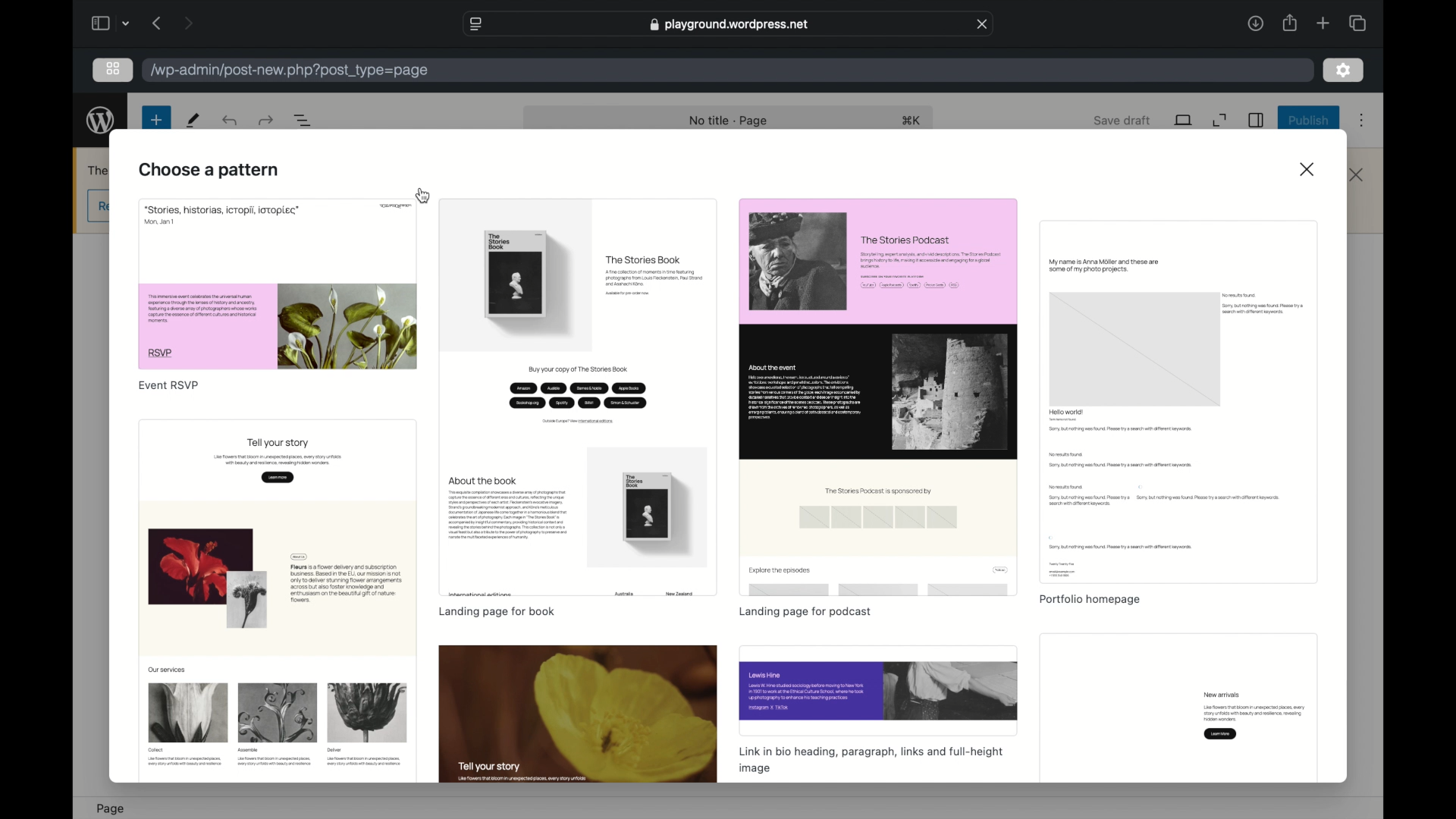 This screenshot has width=1456, height=819. I want to click on shortcut, so click(912, 120).